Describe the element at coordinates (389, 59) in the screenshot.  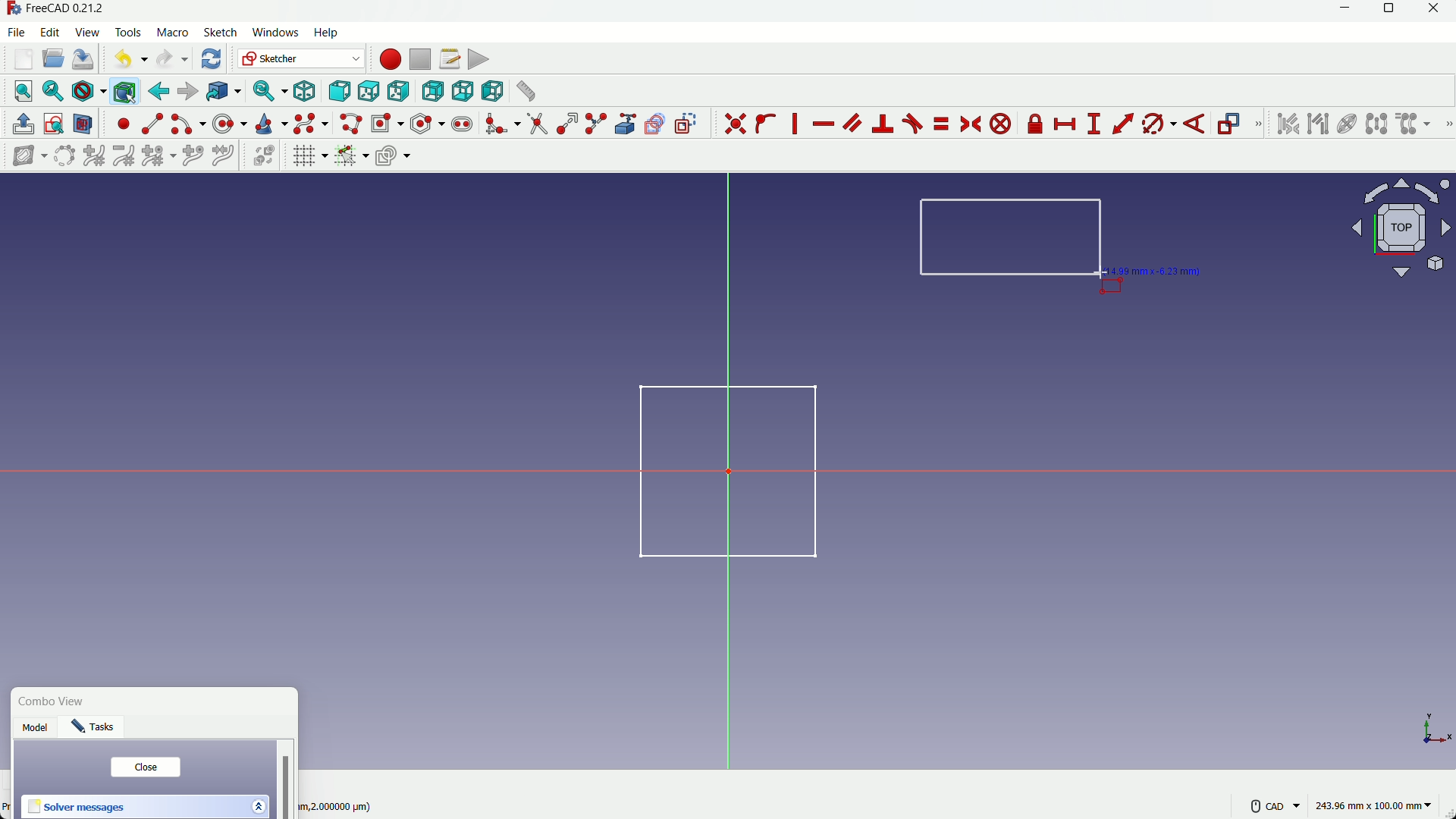
I see `start macros` at that location.